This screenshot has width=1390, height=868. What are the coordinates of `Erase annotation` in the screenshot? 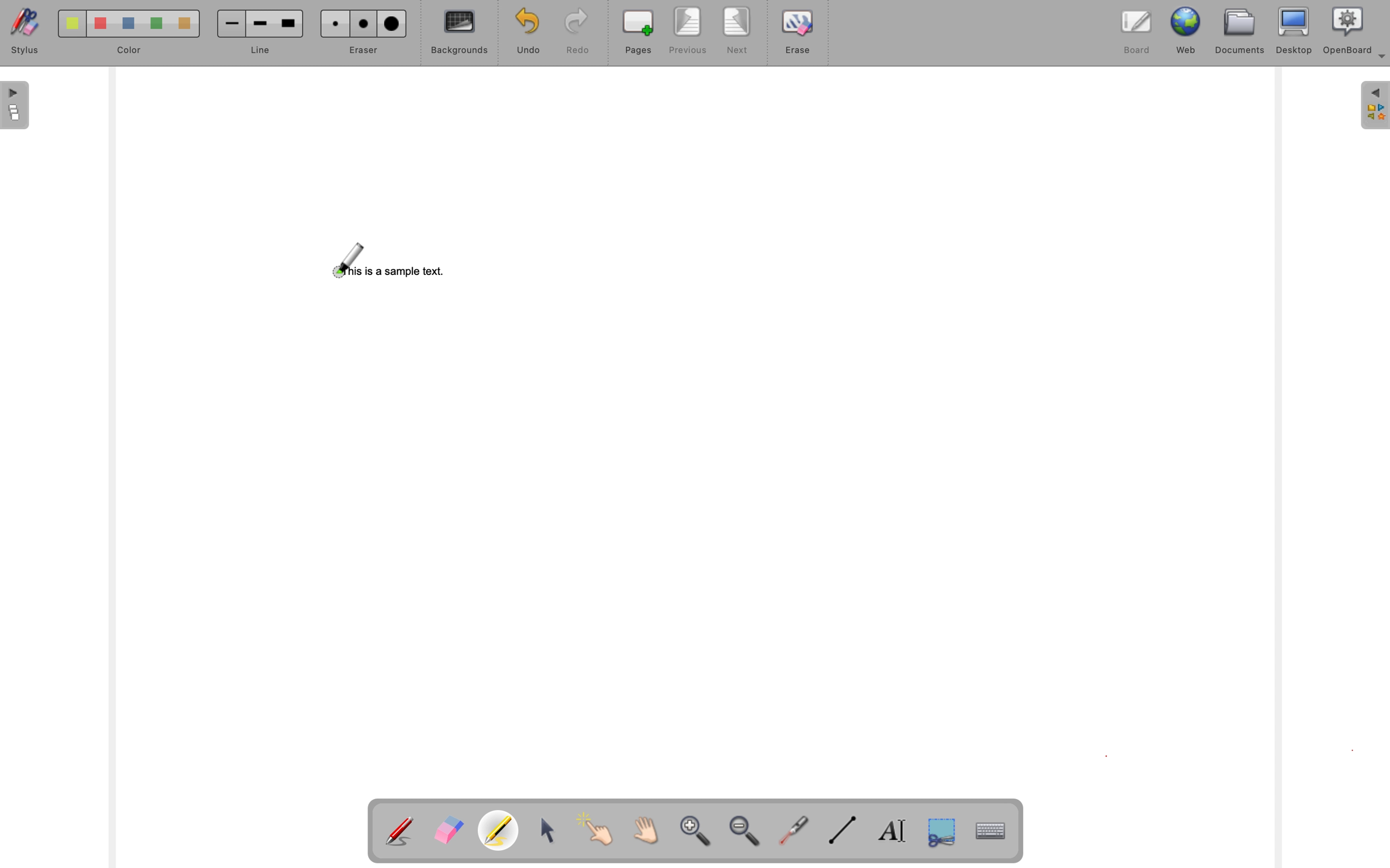 It's located at (451, 827).